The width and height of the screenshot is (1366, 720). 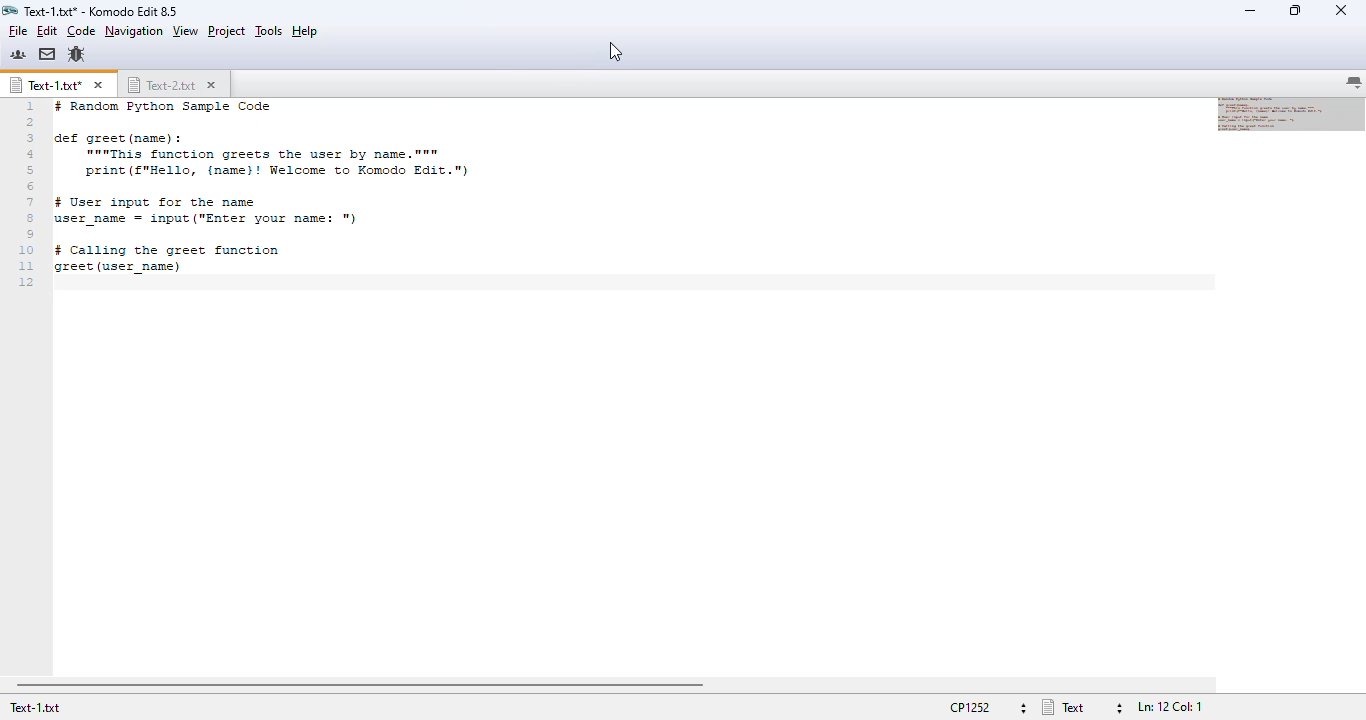 I want to click on text, so click(x=310, y=194).